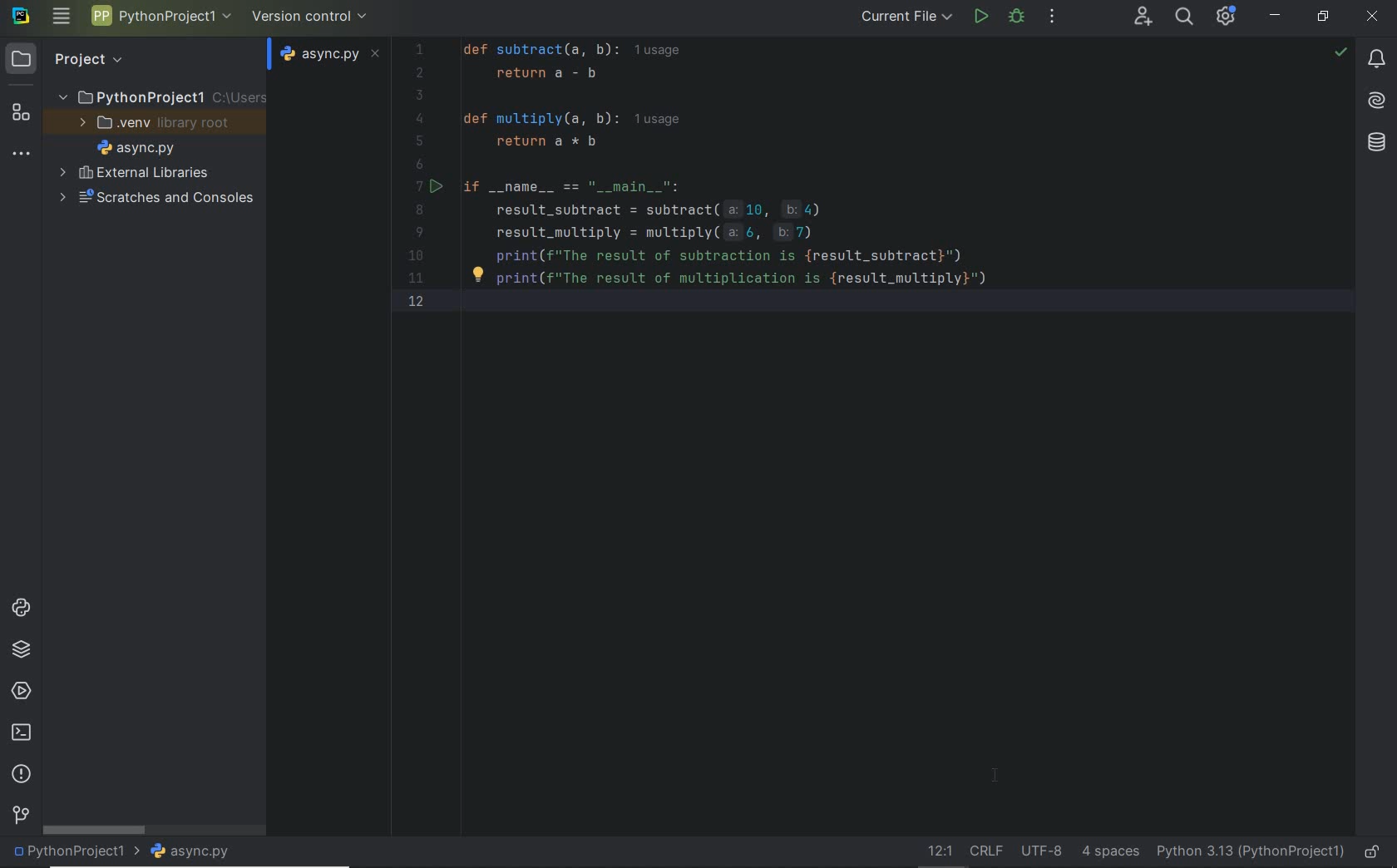 This screenshot has width=1397, height=868. I want to click on services, so click(20, 692).